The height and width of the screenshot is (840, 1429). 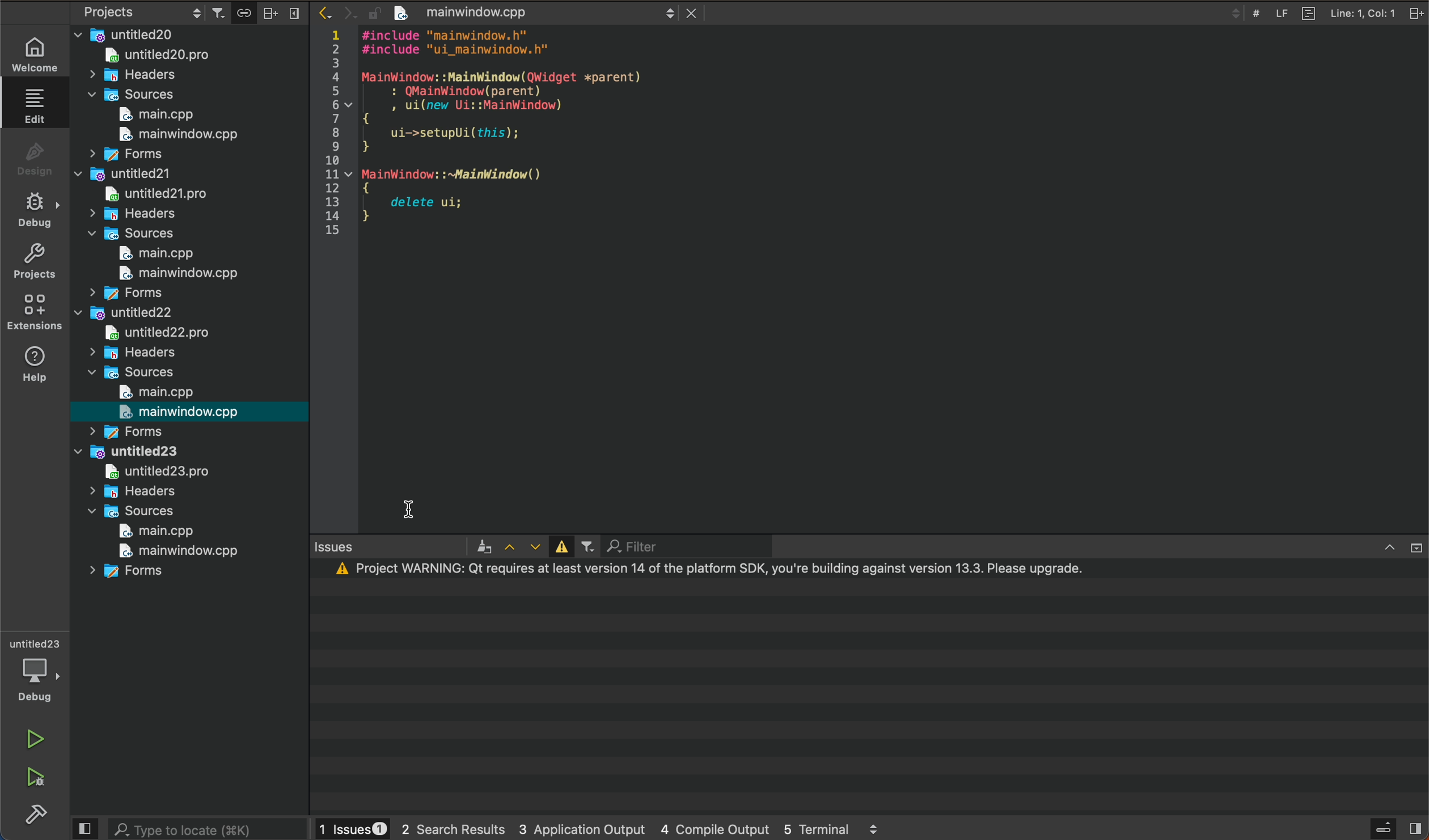 I want to click on terminal, so click(x=868, y=688).